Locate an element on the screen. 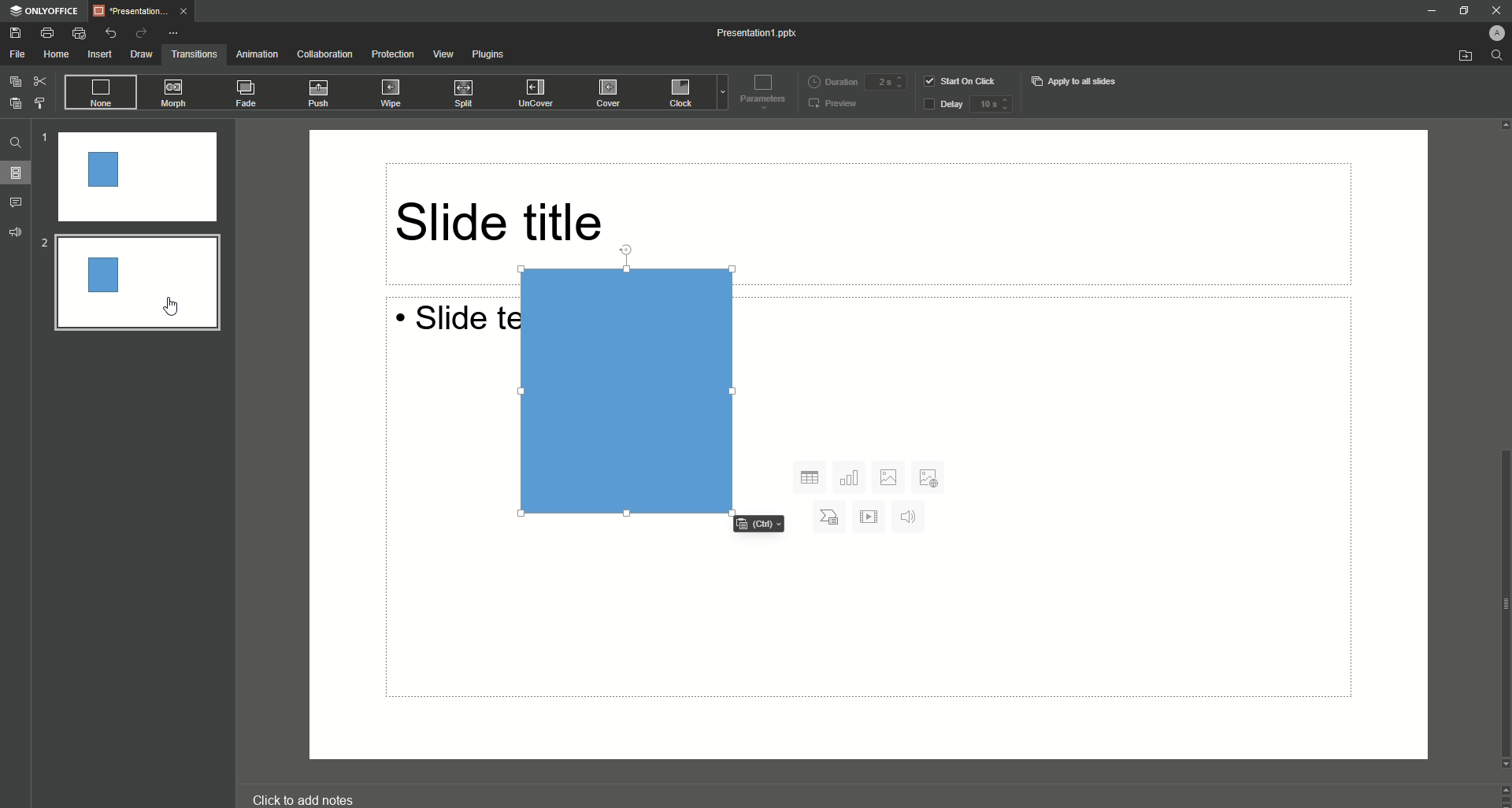 The image size is (1512, 808). Copy is located at coordinates (13, 83).